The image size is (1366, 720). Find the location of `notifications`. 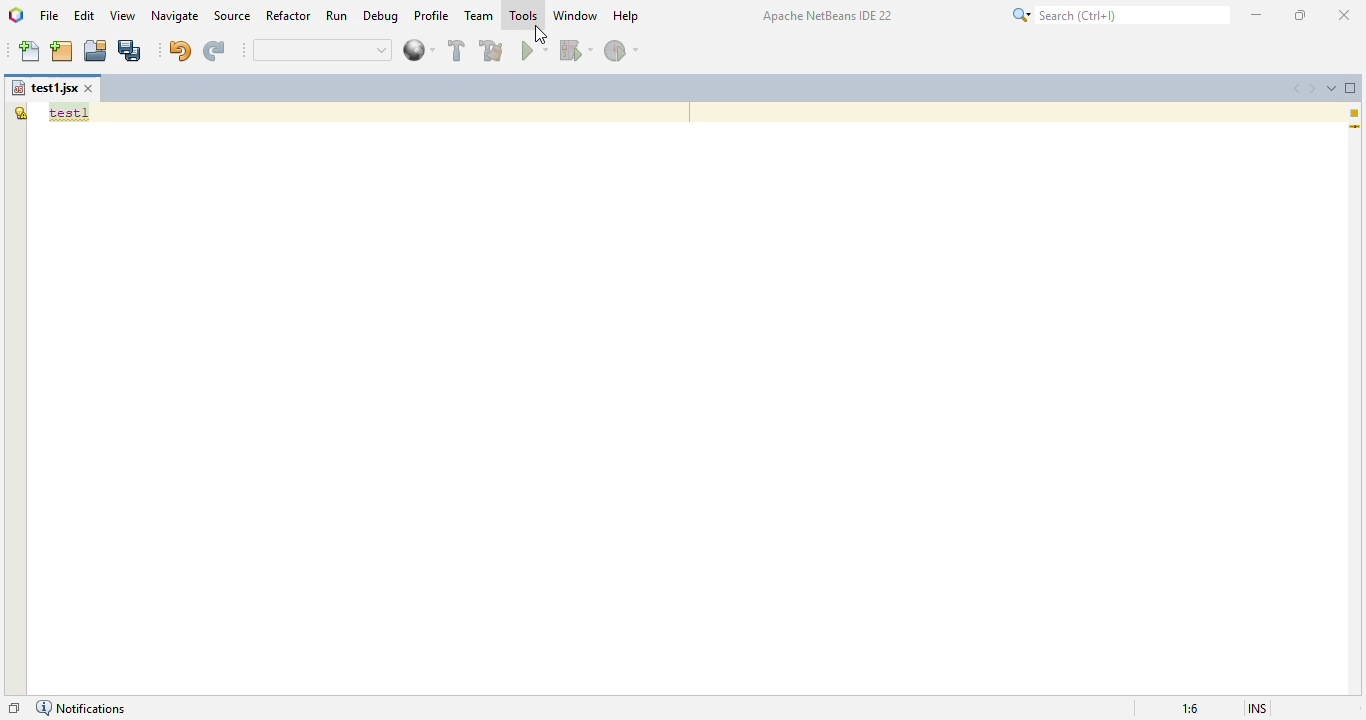

notifications is located at coordinates (80, 708).